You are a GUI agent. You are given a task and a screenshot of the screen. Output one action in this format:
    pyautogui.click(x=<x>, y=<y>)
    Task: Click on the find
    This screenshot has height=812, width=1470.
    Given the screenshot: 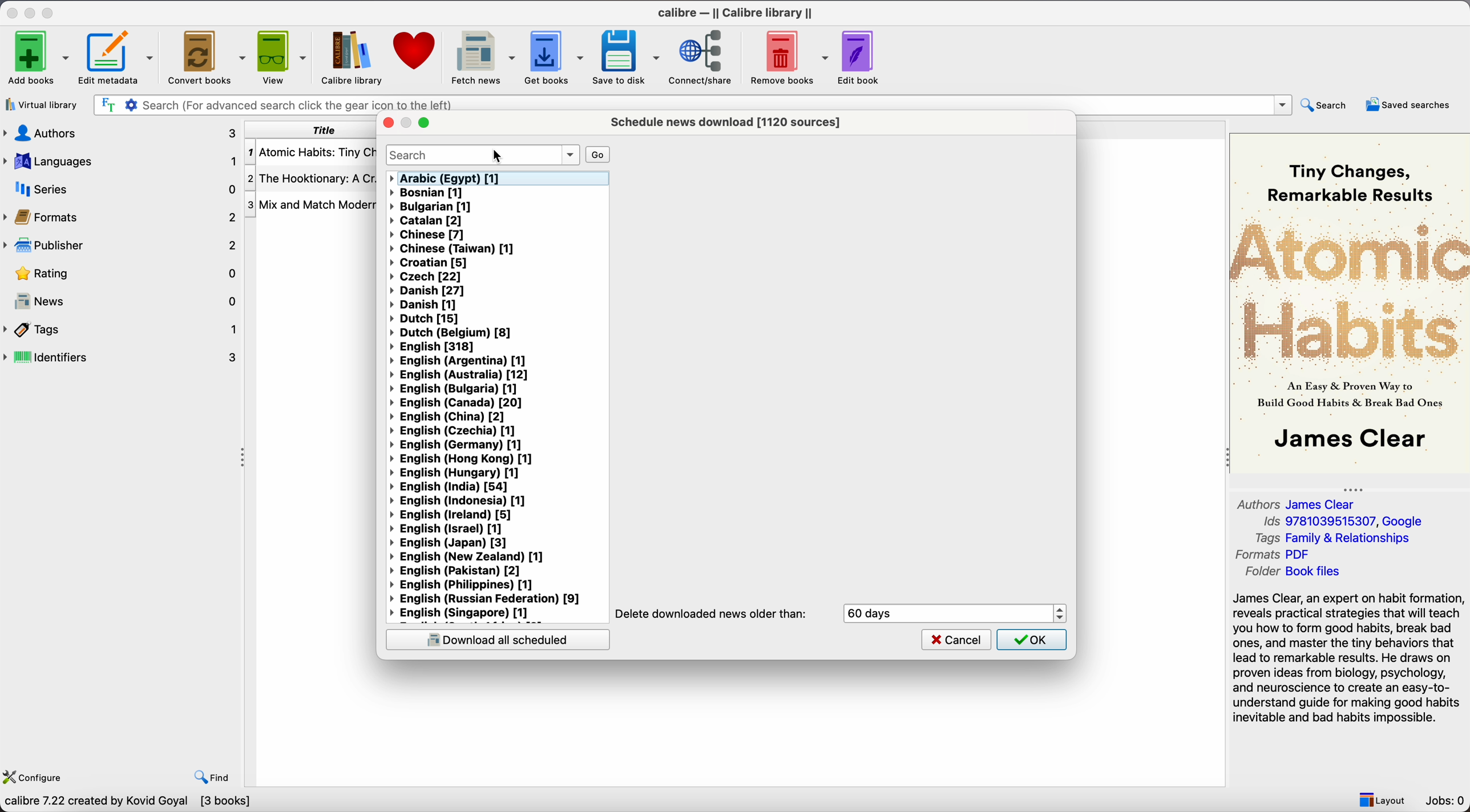 What is the action you would take?
    pyautogui.click(x=212, y=778)
    